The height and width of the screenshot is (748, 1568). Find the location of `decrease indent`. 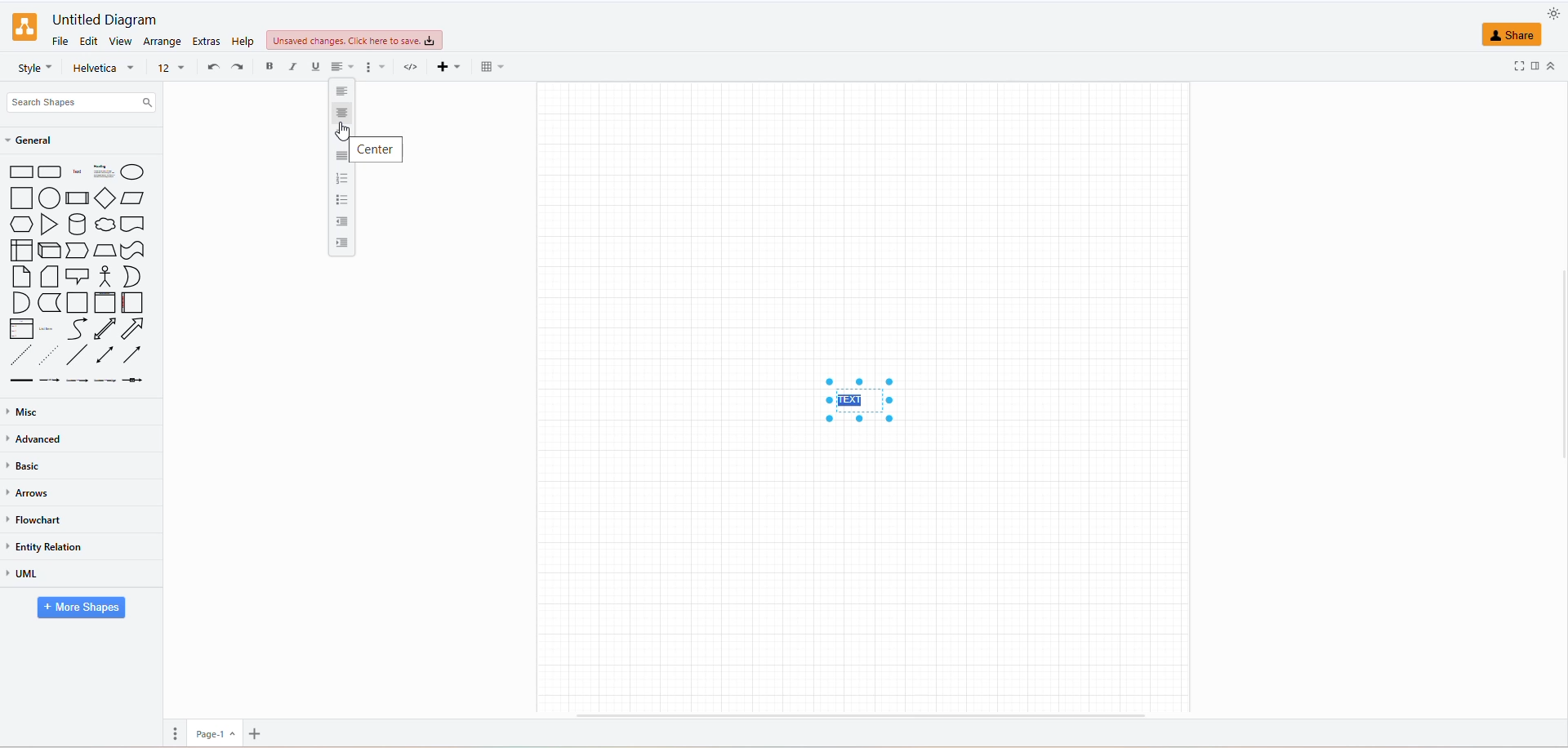

decrease indent is located at coordinates (341, 222).